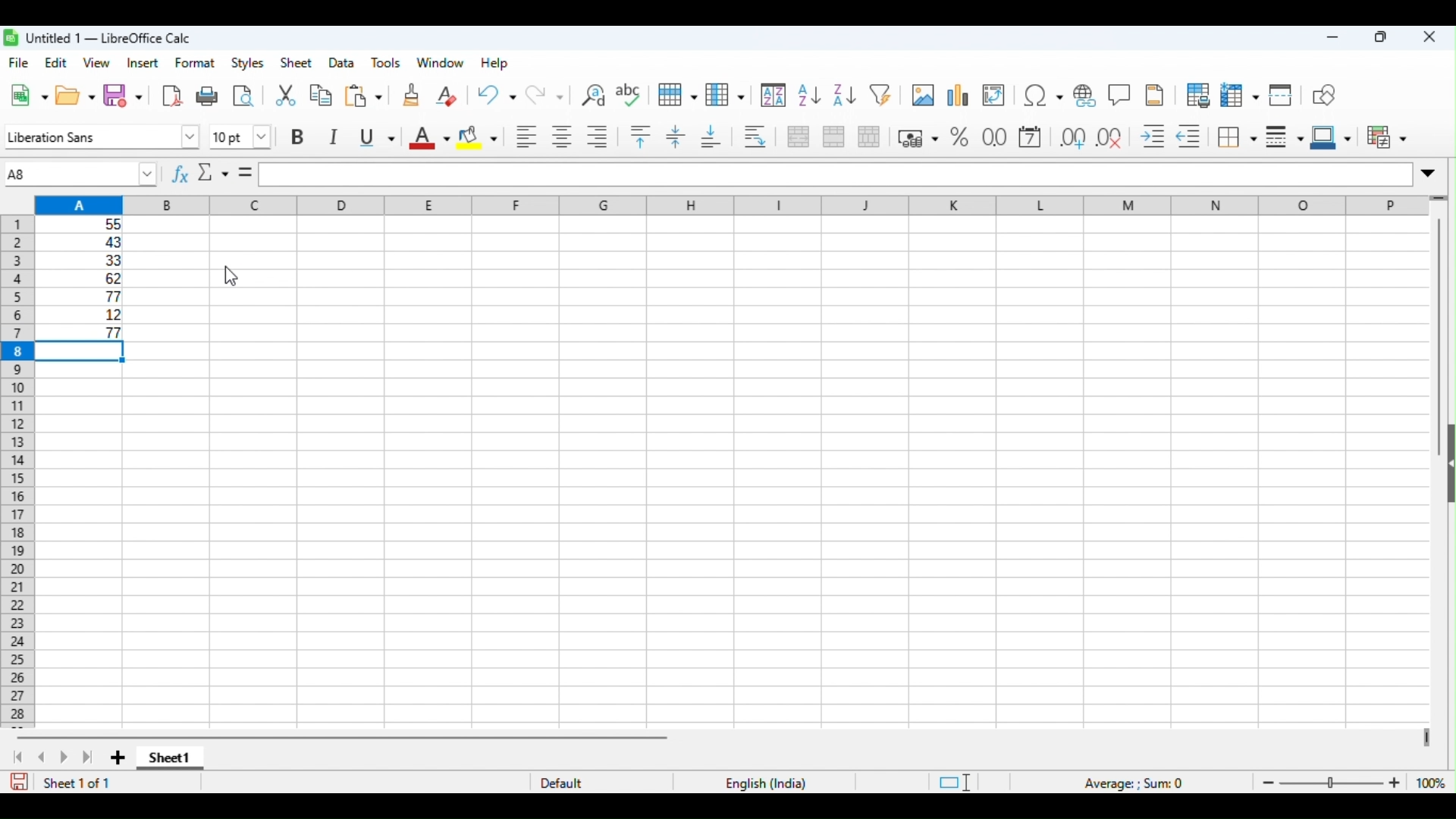 Image resolution: width=1456 pixels, height=819 pixels. What do you see at coordinates (711, 136) in the screenshot?
I see `align bottom` at bounding box center [711, 136].